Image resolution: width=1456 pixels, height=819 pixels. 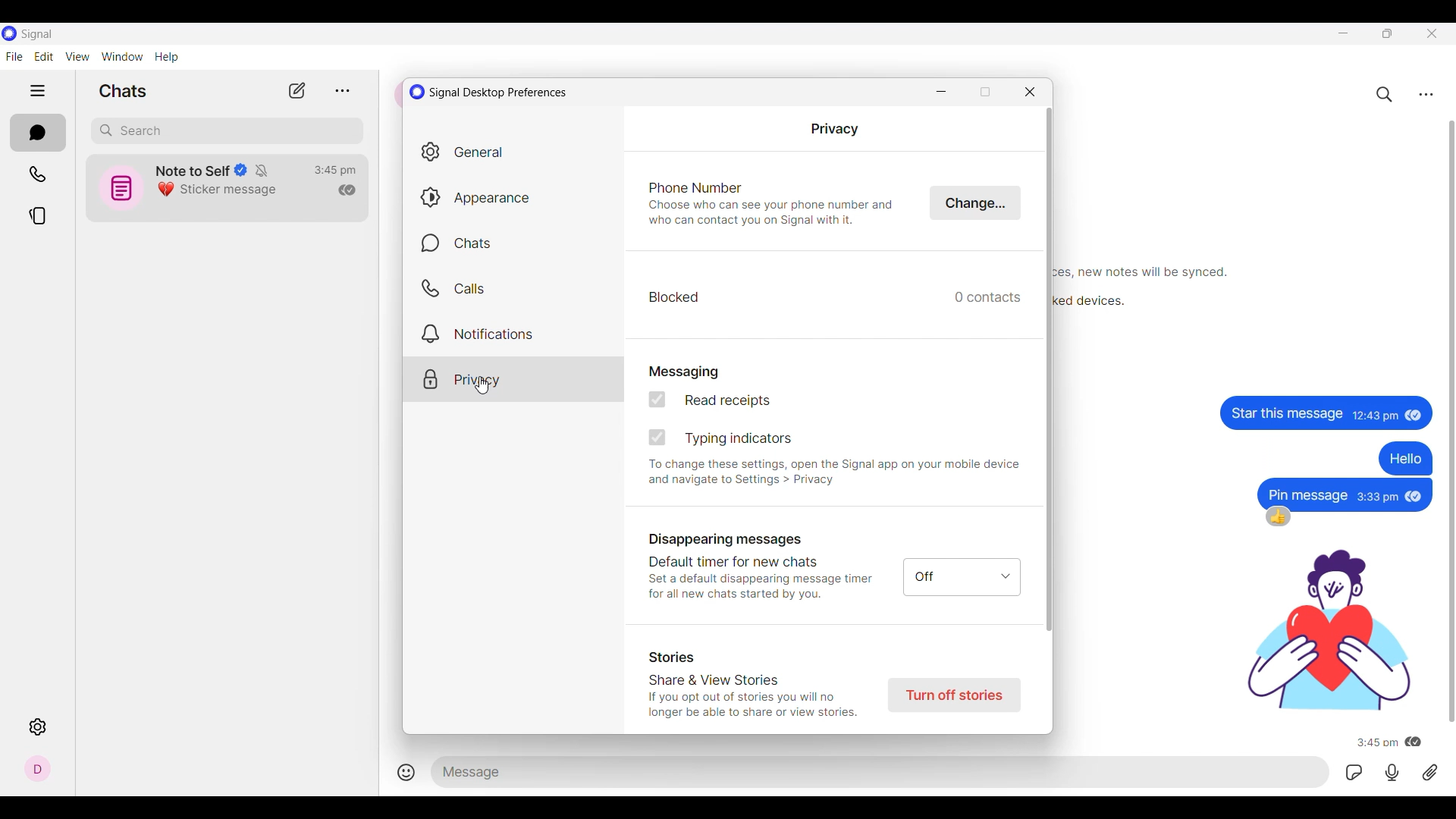 I want to click on Time of last conversation, so click(x=335, y=171).